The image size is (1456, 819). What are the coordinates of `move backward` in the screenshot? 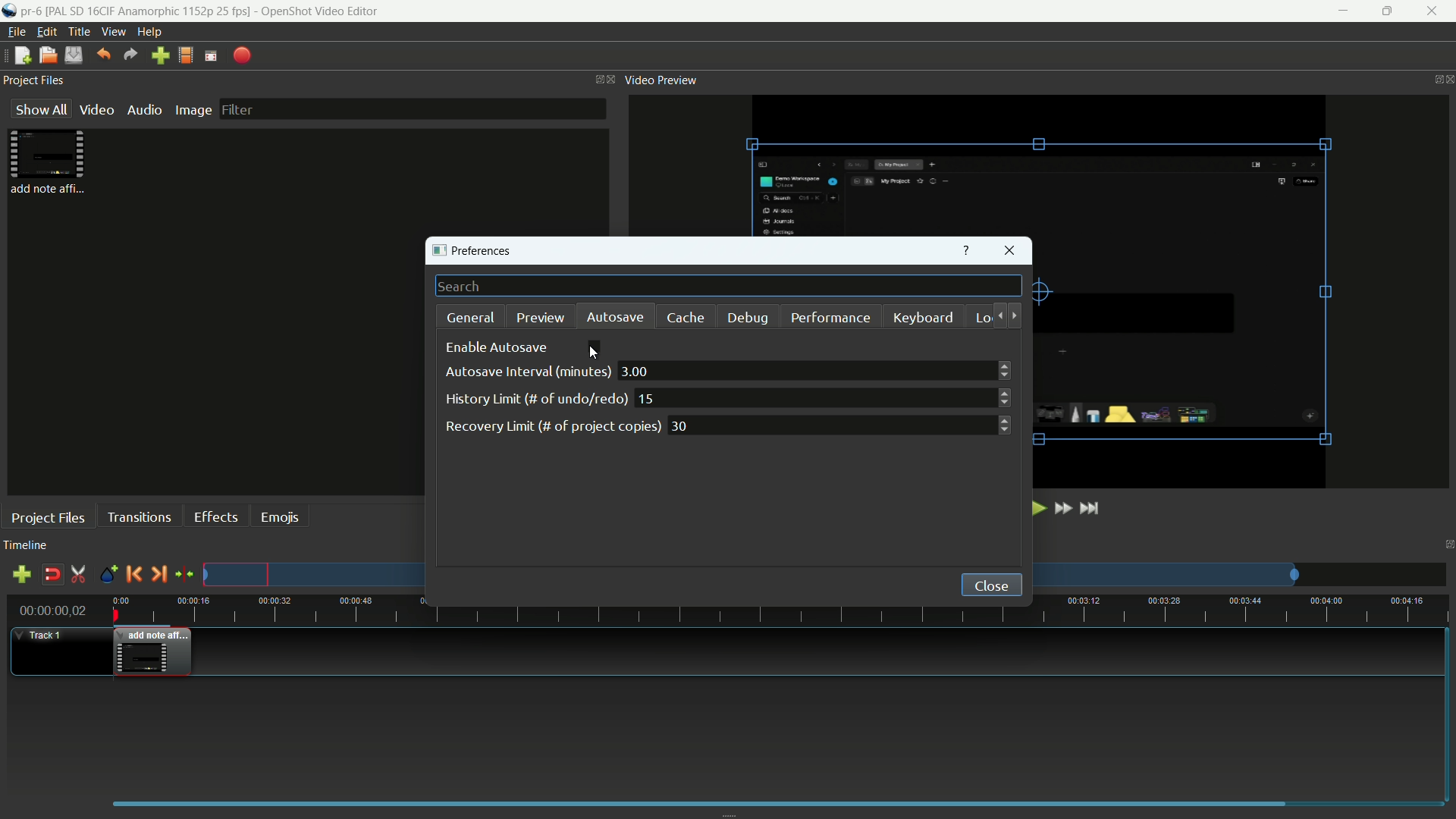 It's located at (996, 315).